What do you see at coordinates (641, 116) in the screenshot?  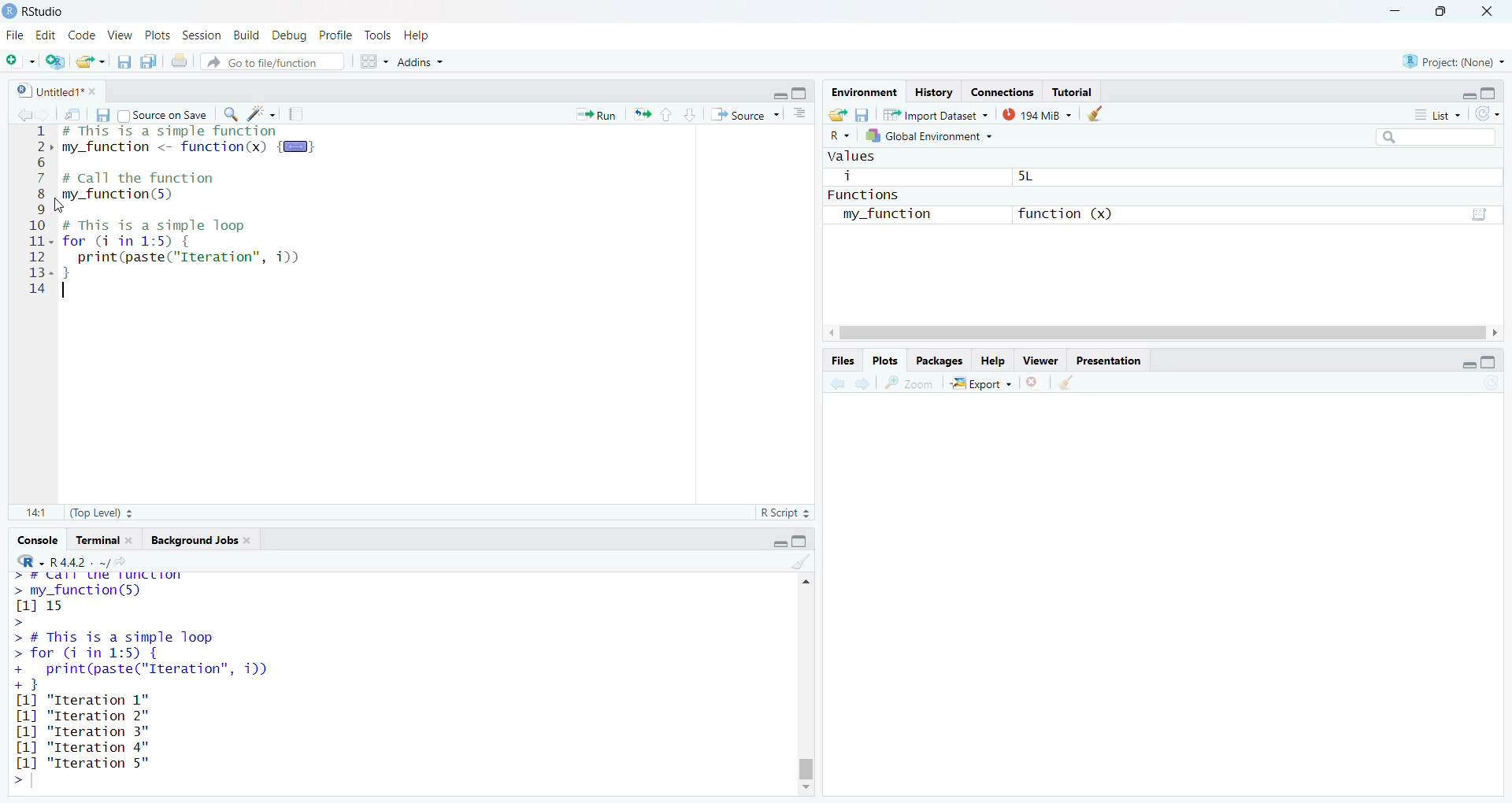 I see `re-run the previous code region` at bounding box center [641, 116].